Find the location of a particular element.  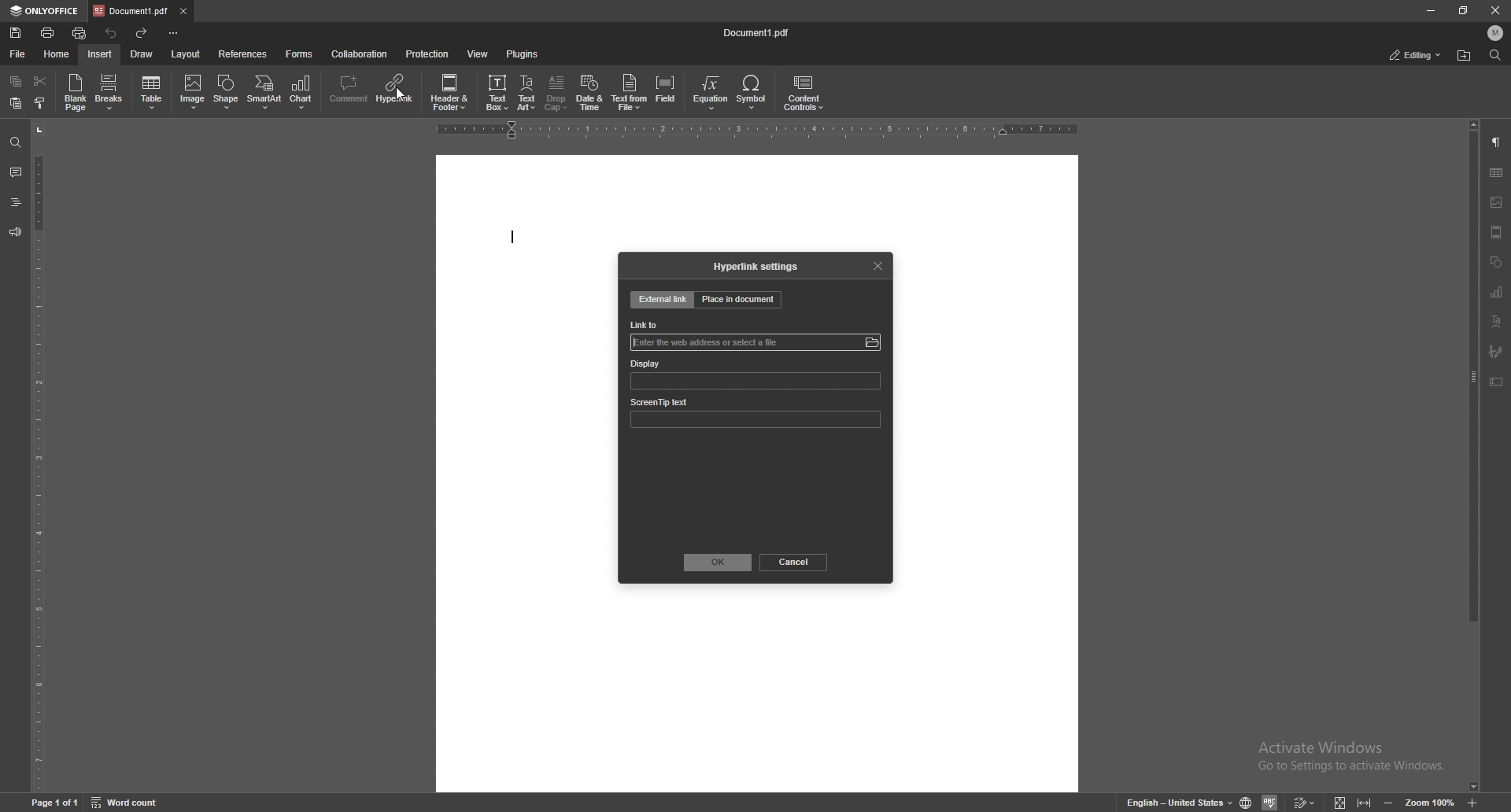

text cursor is located at coordinates (515, 238).